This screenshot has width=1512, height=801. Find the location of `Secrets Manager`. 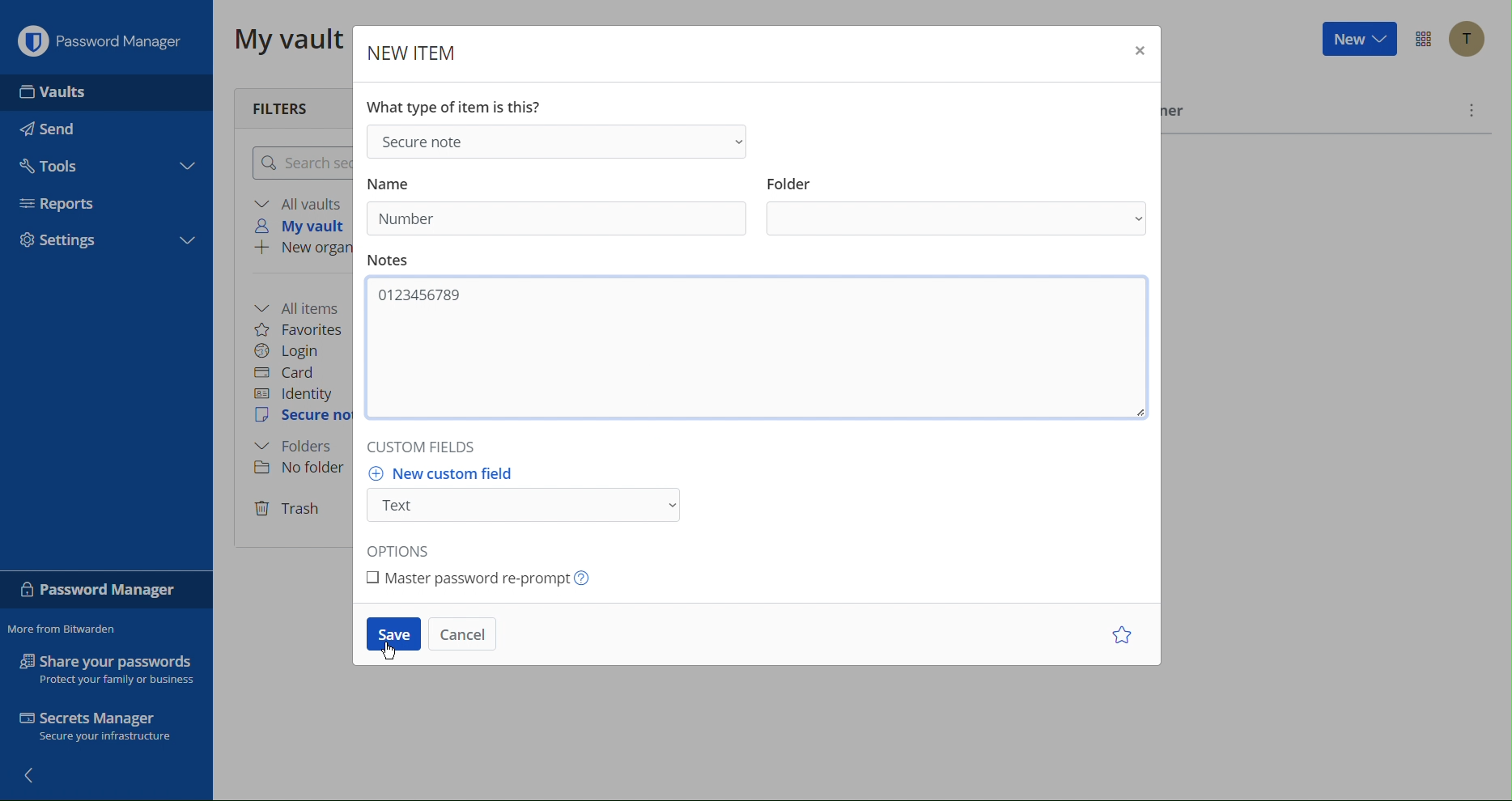

Secrets Manager is located at coordinates (107, 727).